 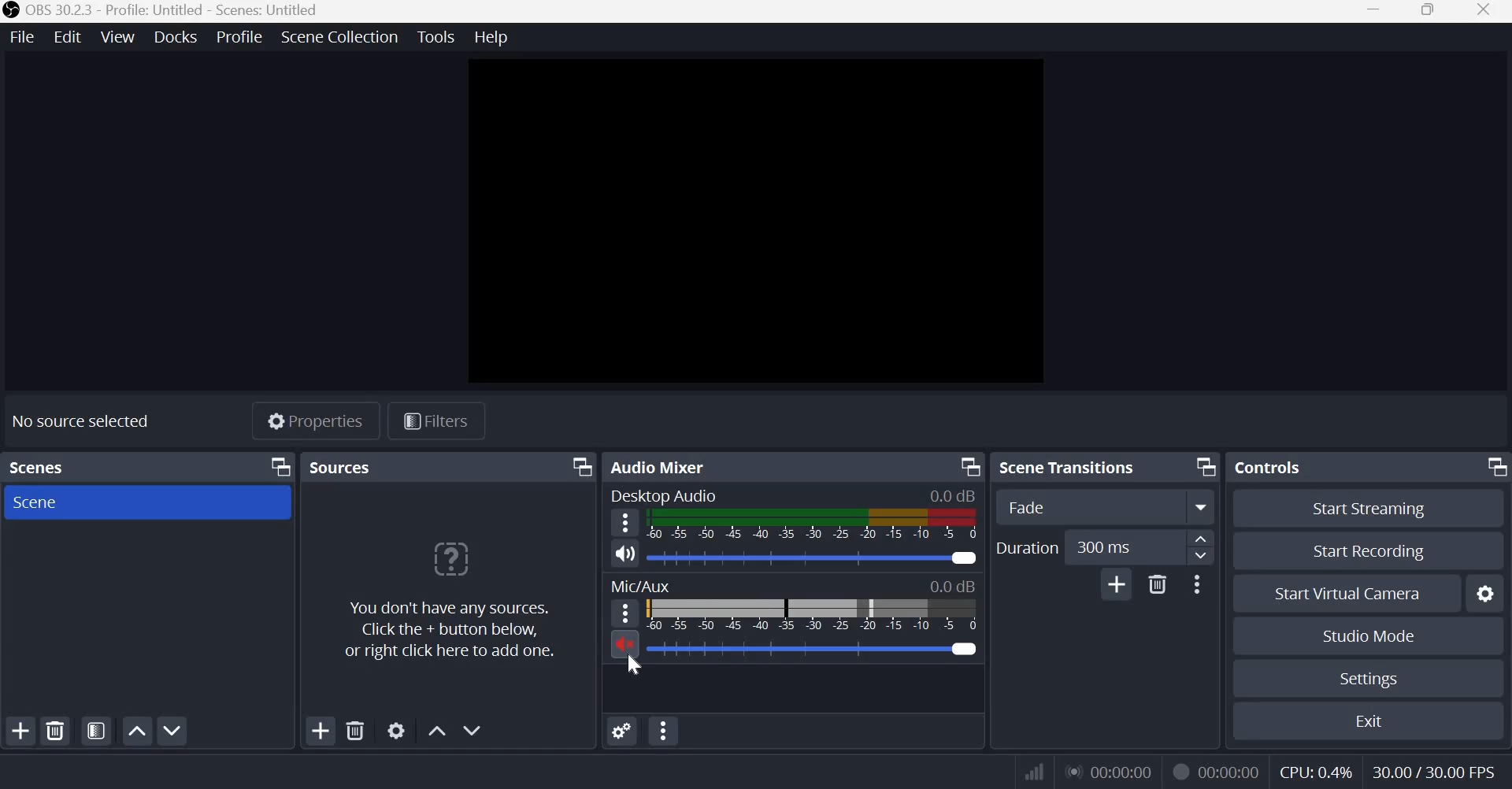 What do you see at coordinates (1179, 772) in the screenshot?
I see `Recording Status Icon` at bounding box center [1179, 772].